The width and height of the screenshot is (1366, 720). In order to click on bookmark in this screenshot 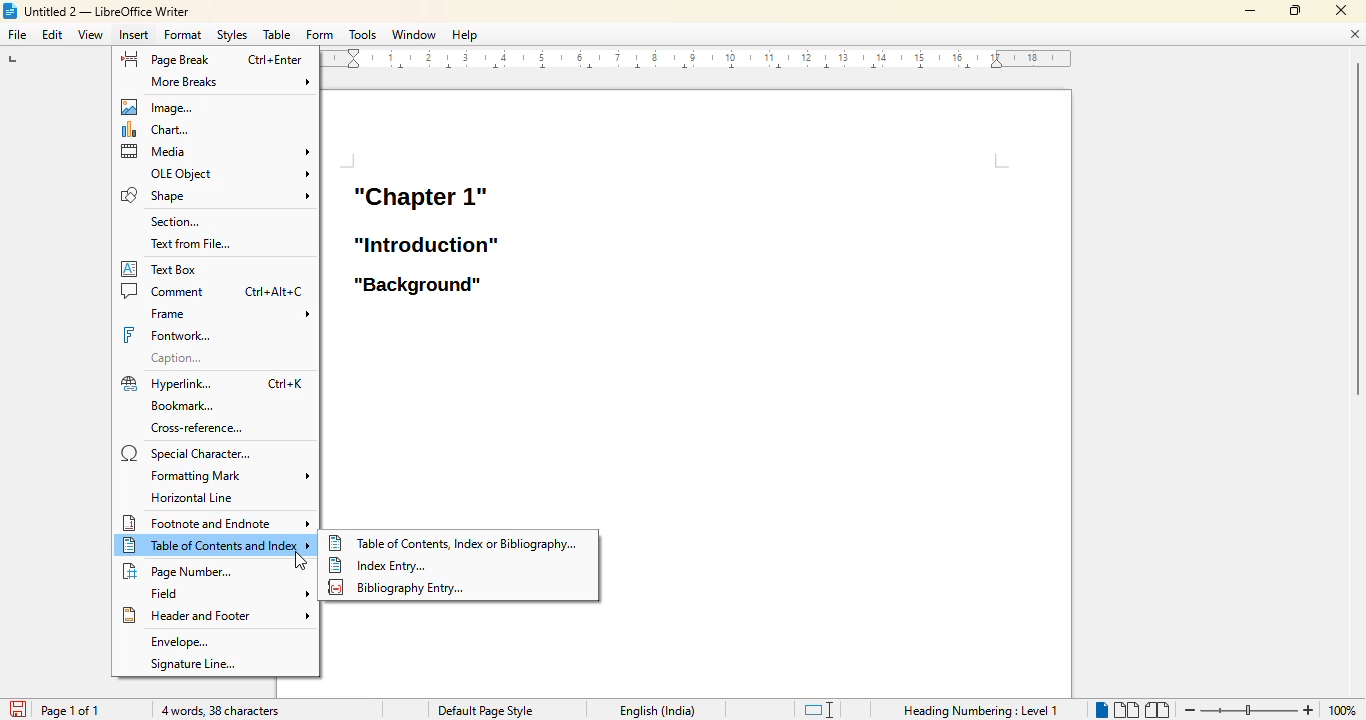, I will do `click(182, 406)`.